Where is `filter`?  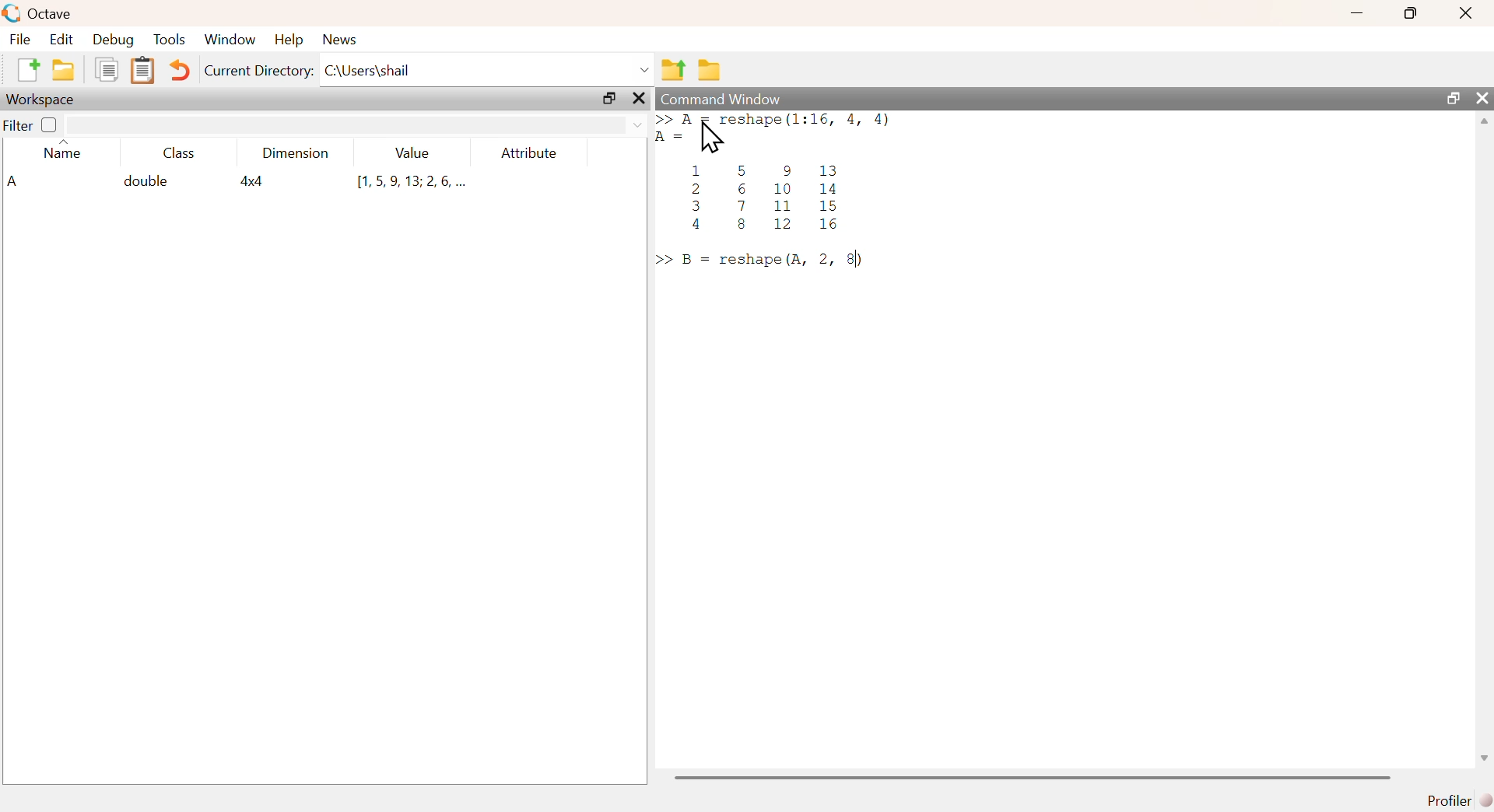
filter is located at coordinates (17, 126).